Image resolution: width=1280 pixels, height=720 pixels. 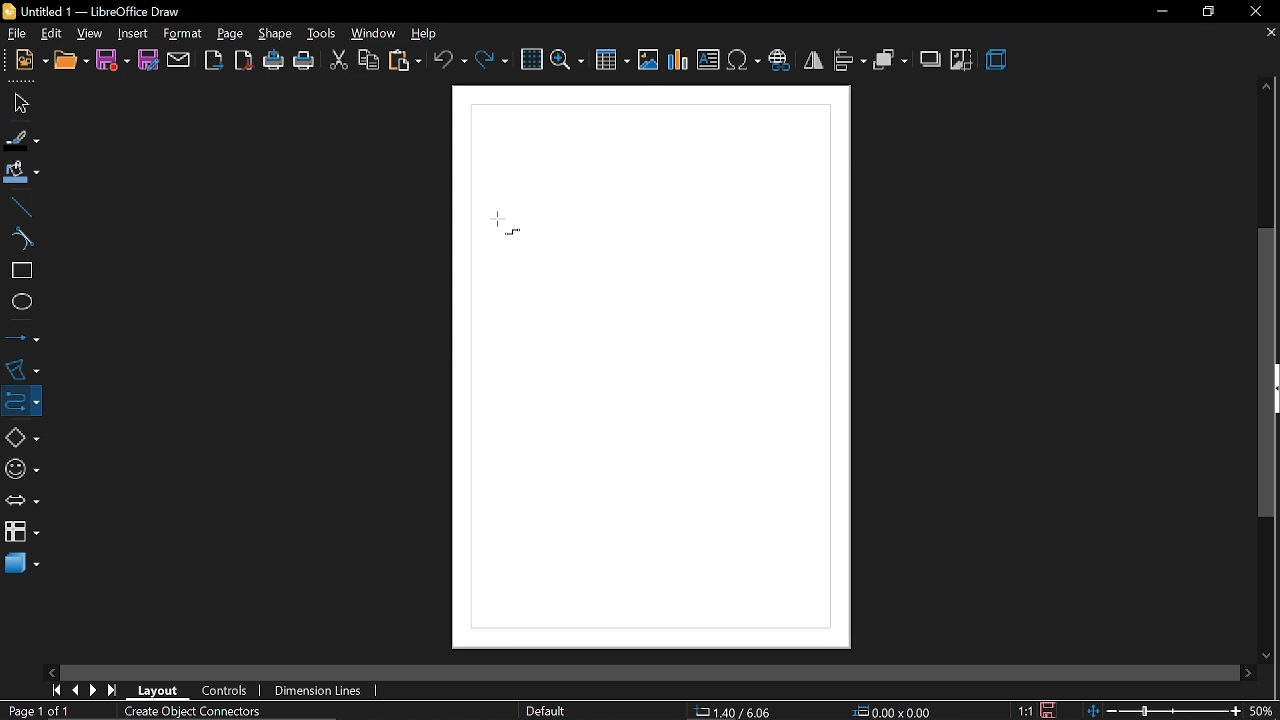 I want to click on Insert hyperlink, so click(x=779, y=62).